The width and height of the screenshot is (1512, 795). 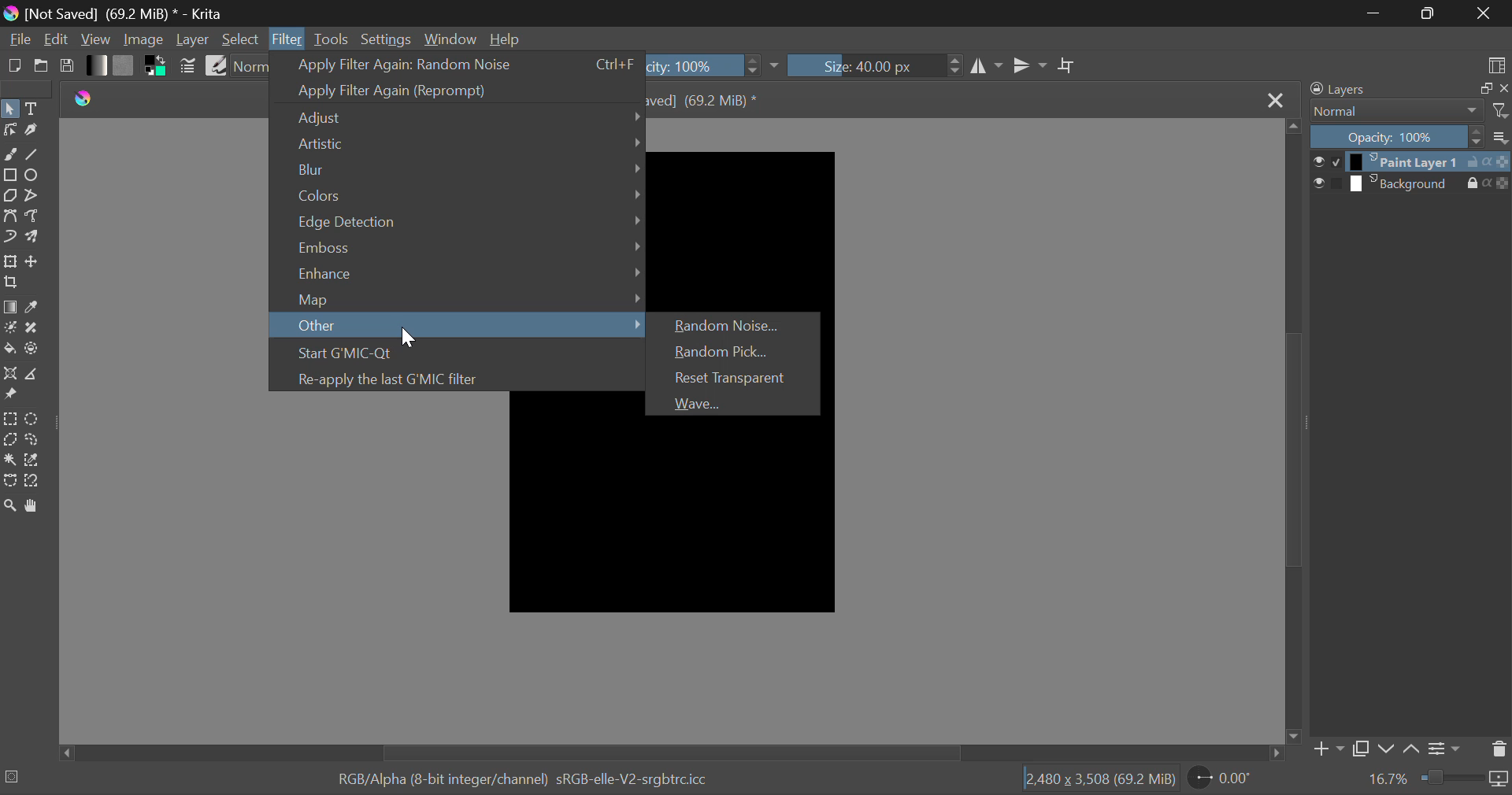 I want to click on Close, so click(x=1275, y=98).